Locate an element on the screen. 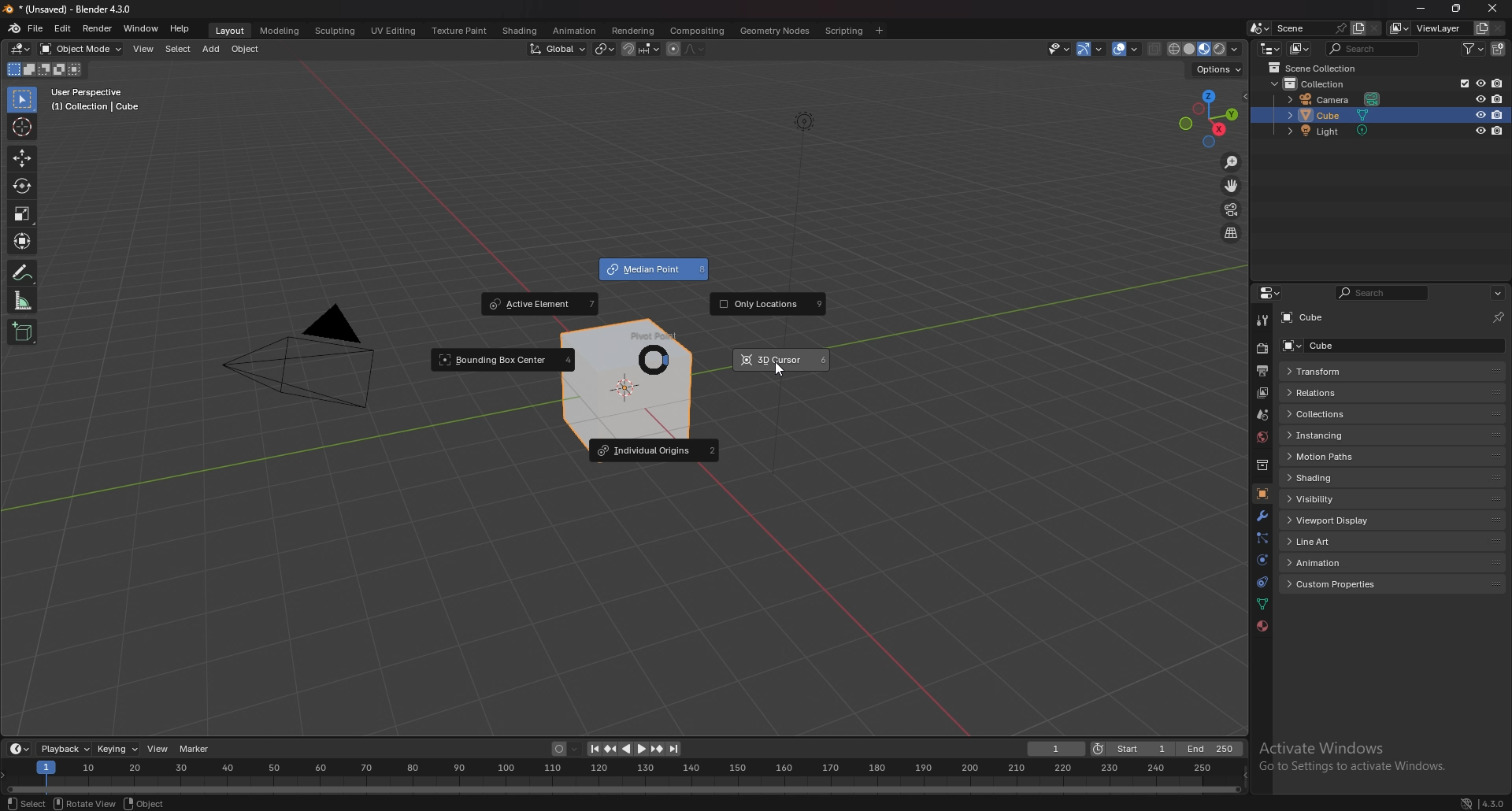  line art is located at coordinates (1336, 543).